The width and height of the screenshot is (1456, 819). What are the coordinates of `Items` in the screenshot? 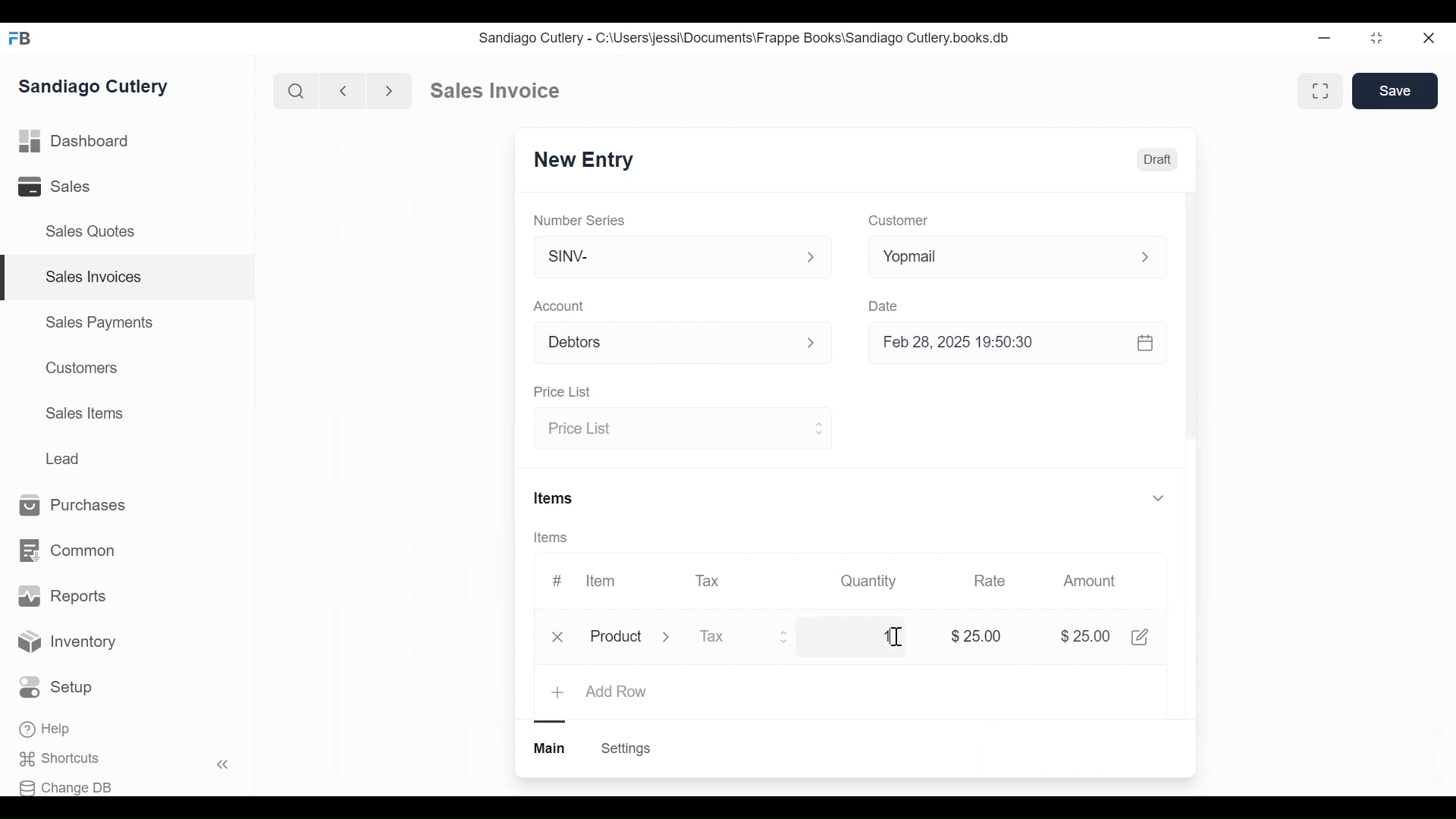 It's located at (556, 497).